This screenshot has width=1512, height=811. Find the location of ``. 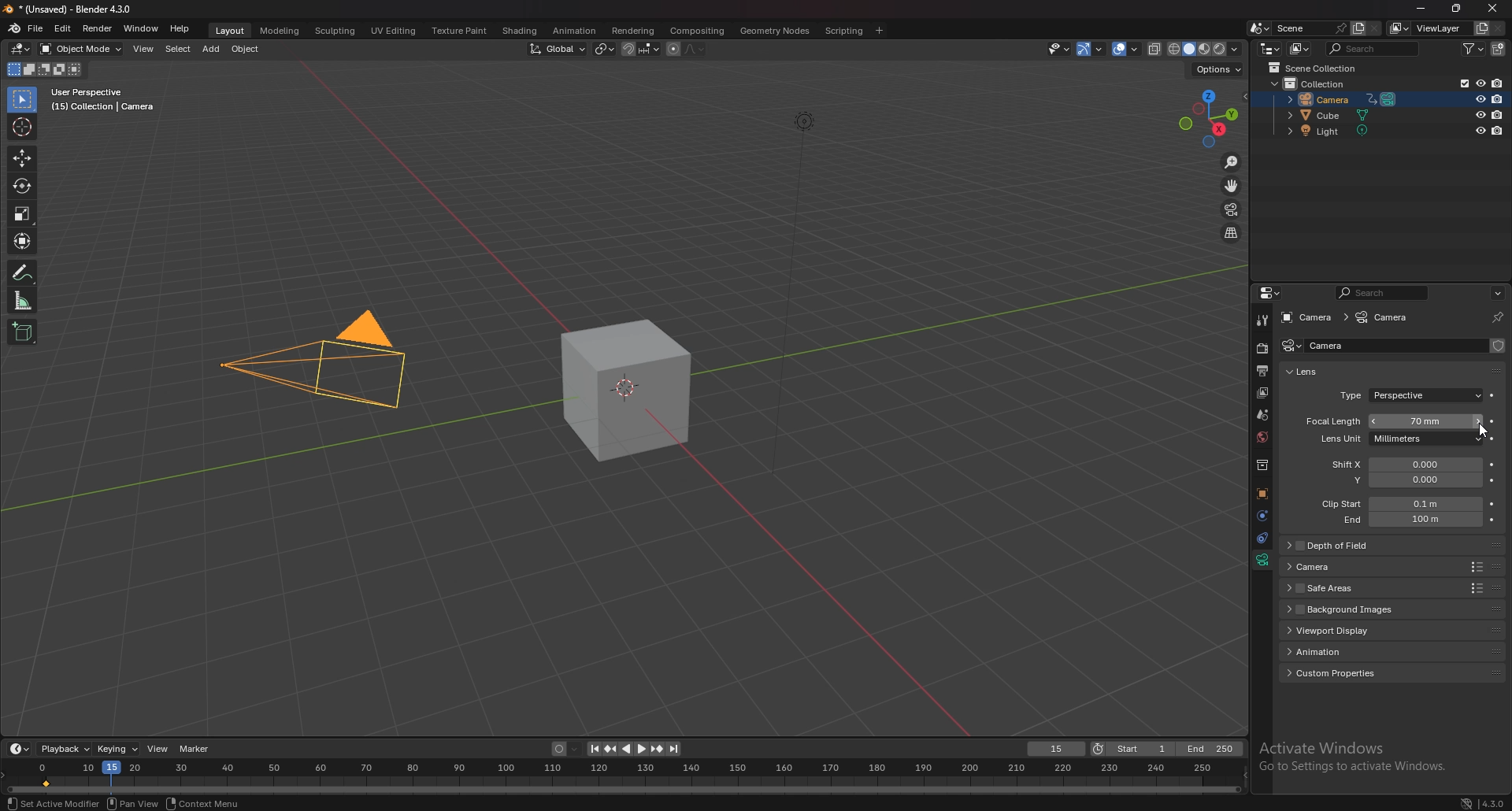

 is located at coordinates (54, 803).